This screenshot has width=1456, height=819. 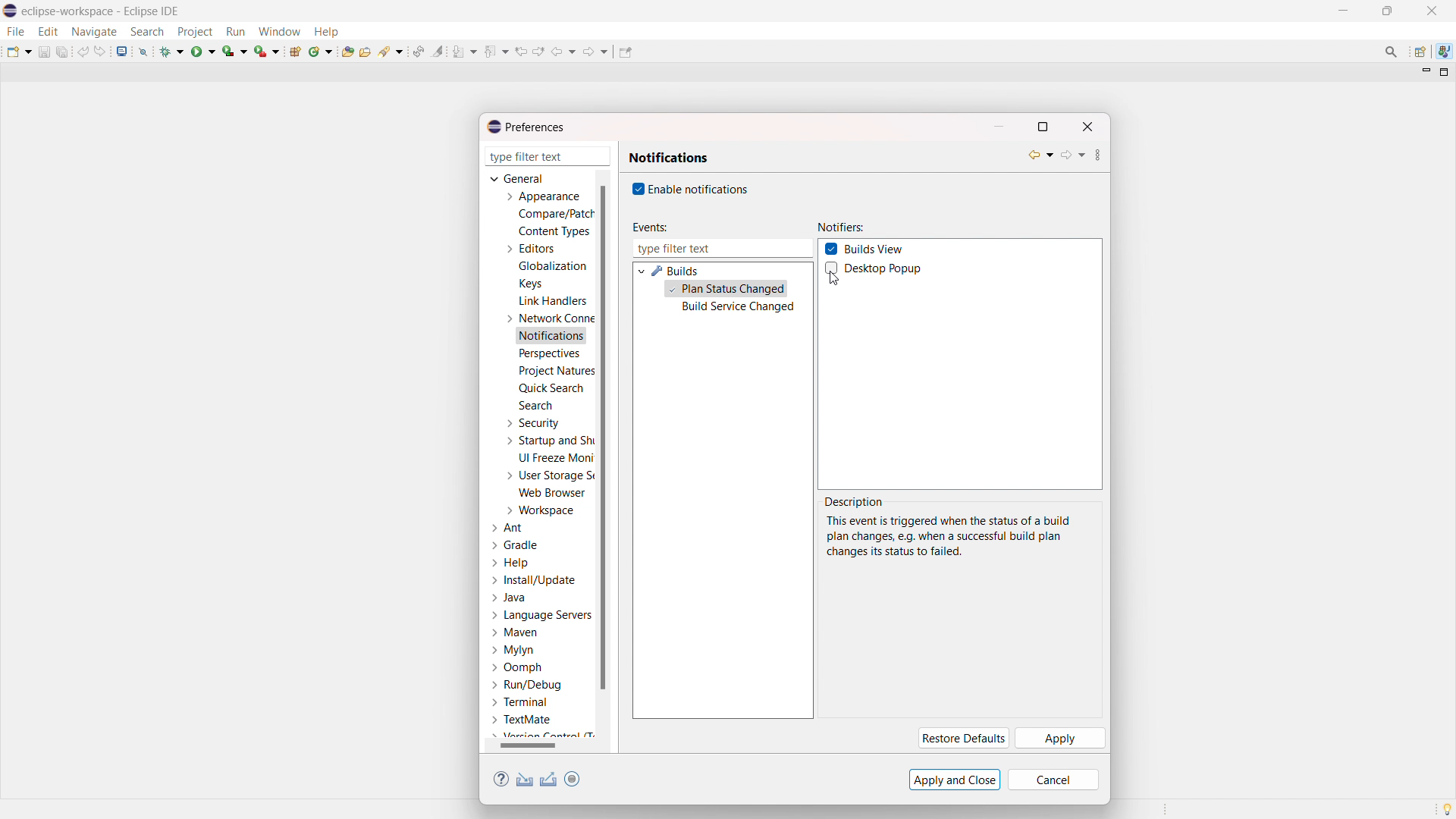 I want to click on gradle, so click(x=516, y=545).